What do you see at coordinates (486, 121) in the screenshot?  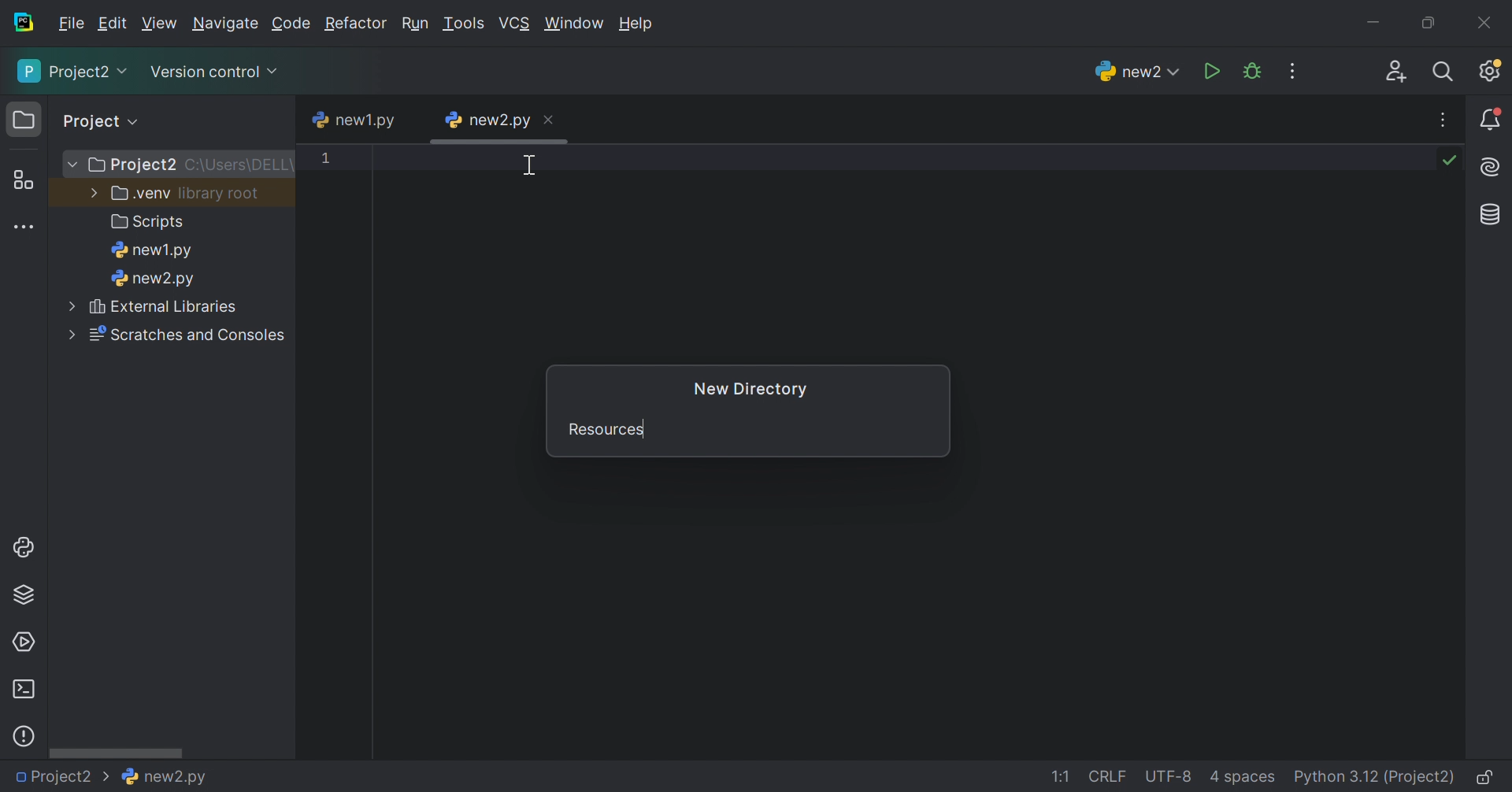 I see `new2.py` at bounding box center [486, 121].